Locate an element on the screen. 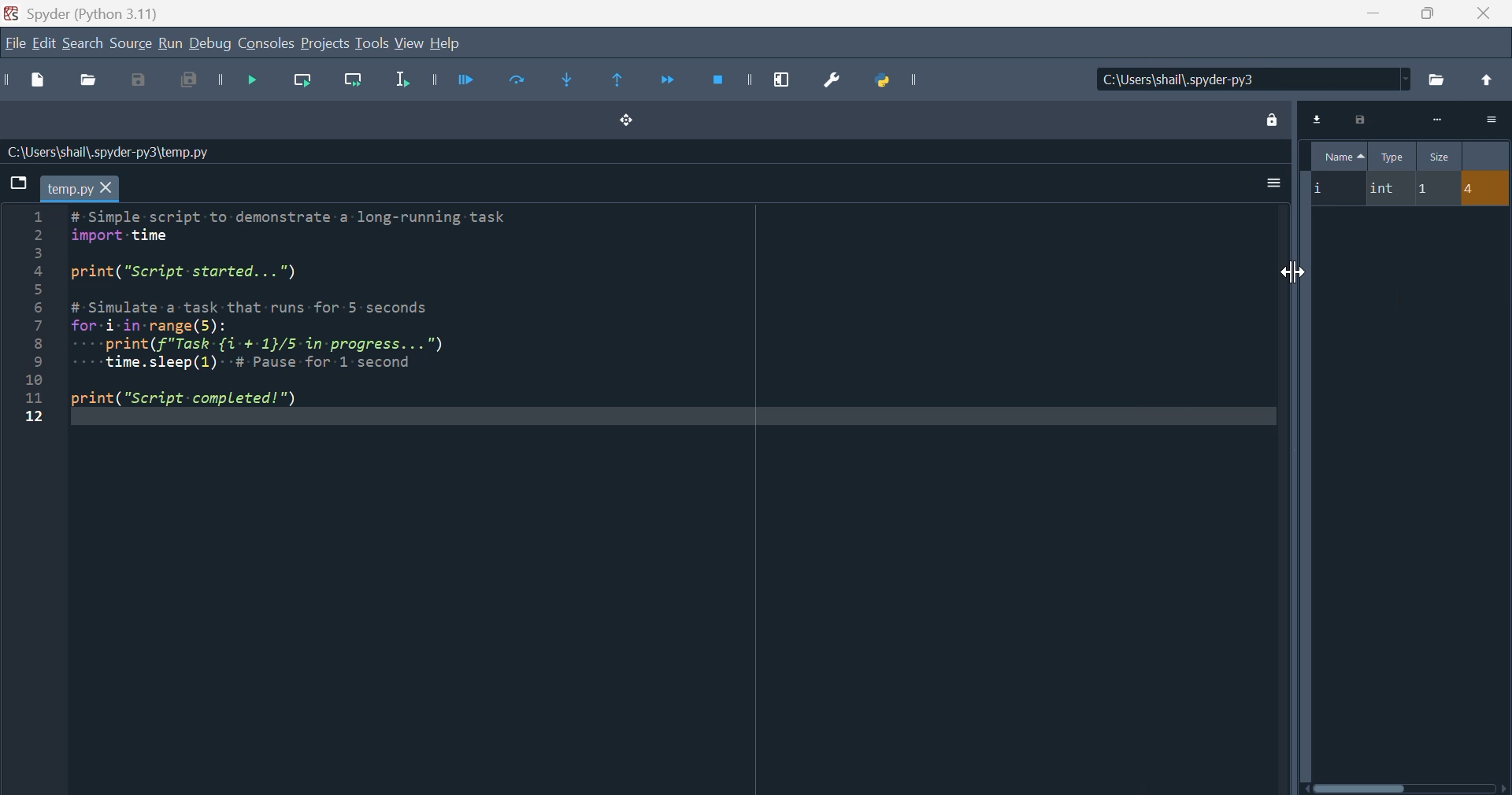 The image size is (1512, 795). New file is located at coordinates (29, 80).